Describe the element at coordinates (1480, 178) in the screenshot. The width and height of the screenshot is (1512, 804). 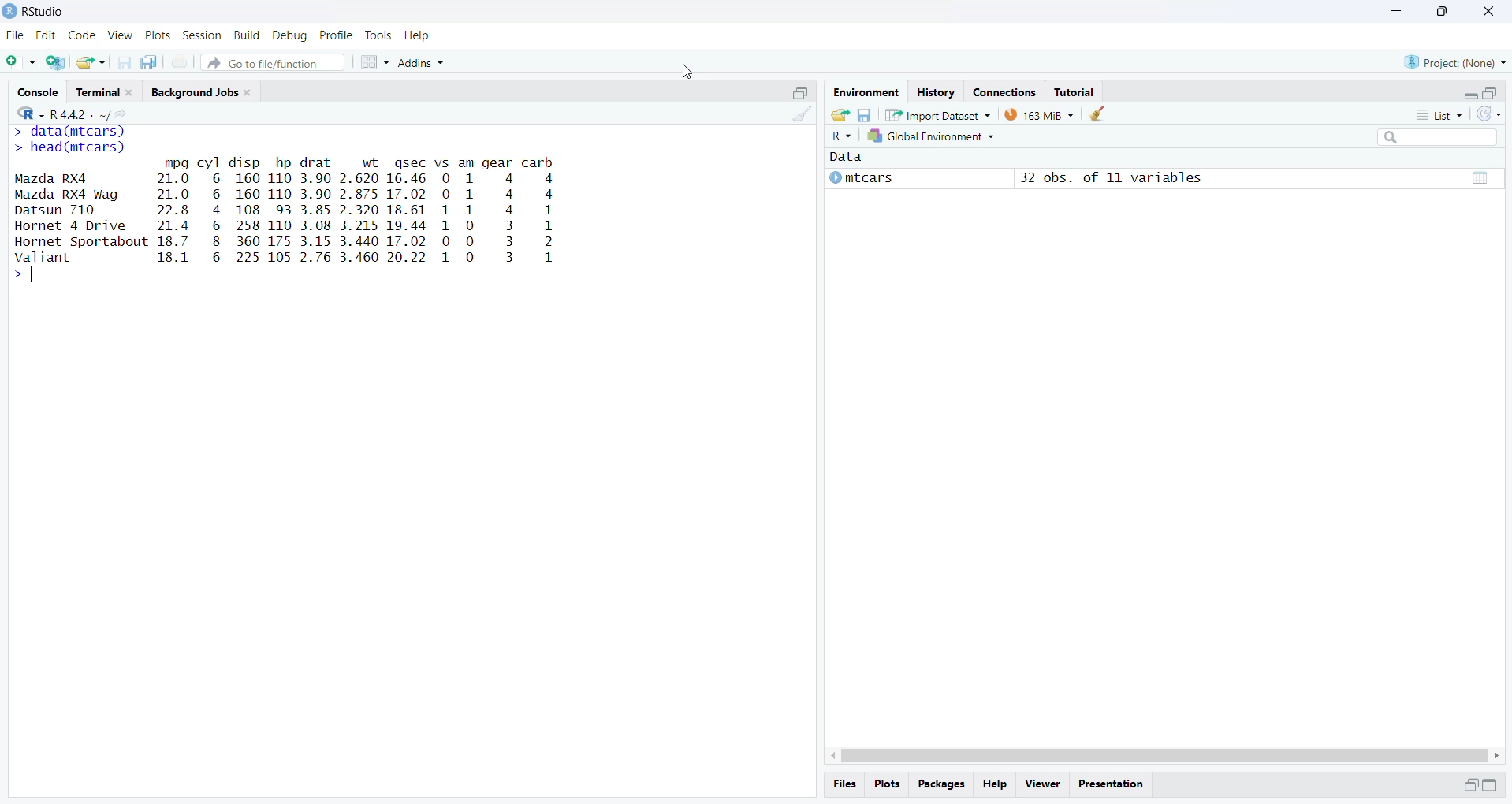
I see `grid view` at that location.